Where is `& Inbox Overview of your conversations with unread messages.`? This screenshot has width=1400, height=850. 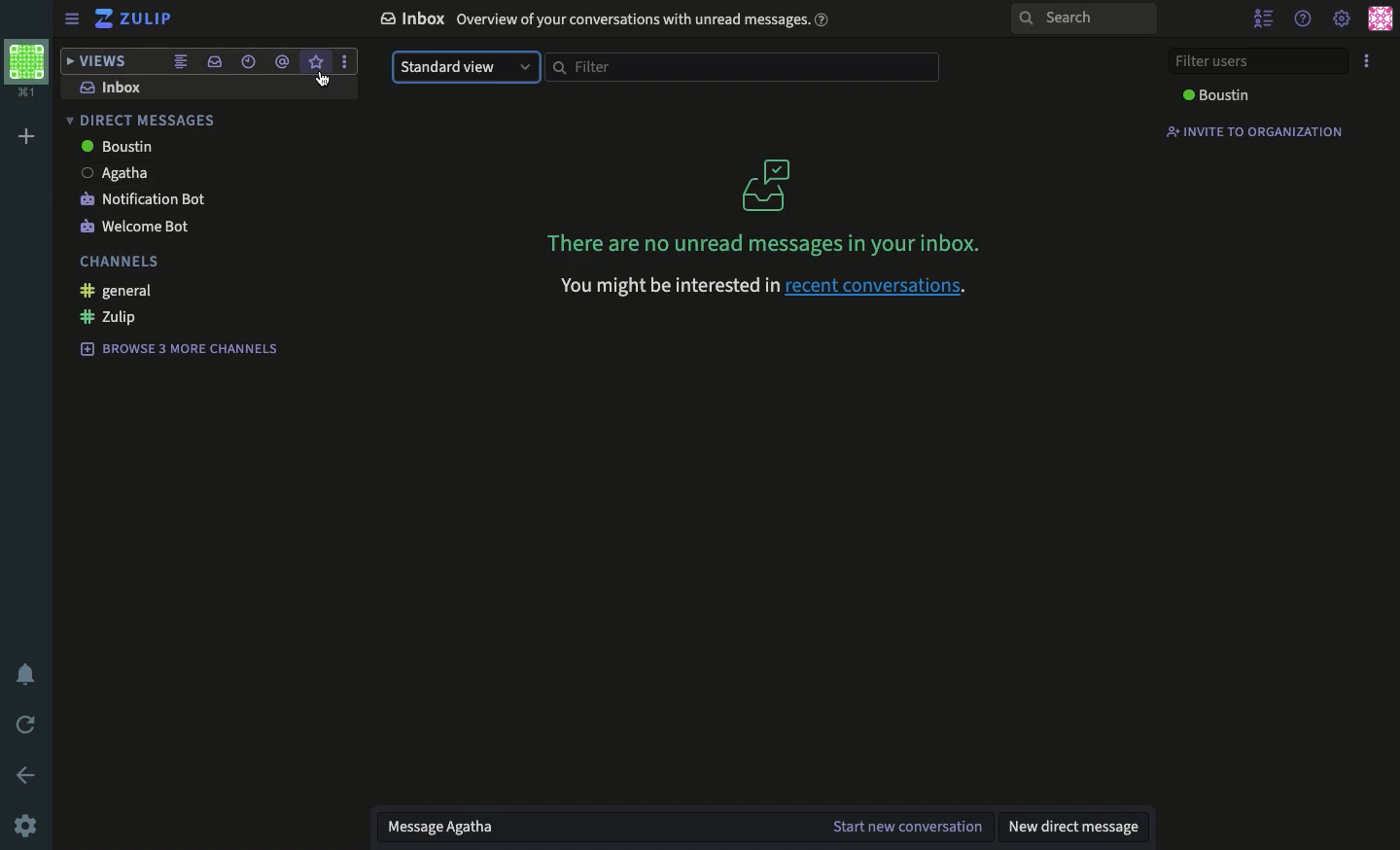 & Inbox Overview of your conversations with unread messages. is located at coordinates (603, 18).